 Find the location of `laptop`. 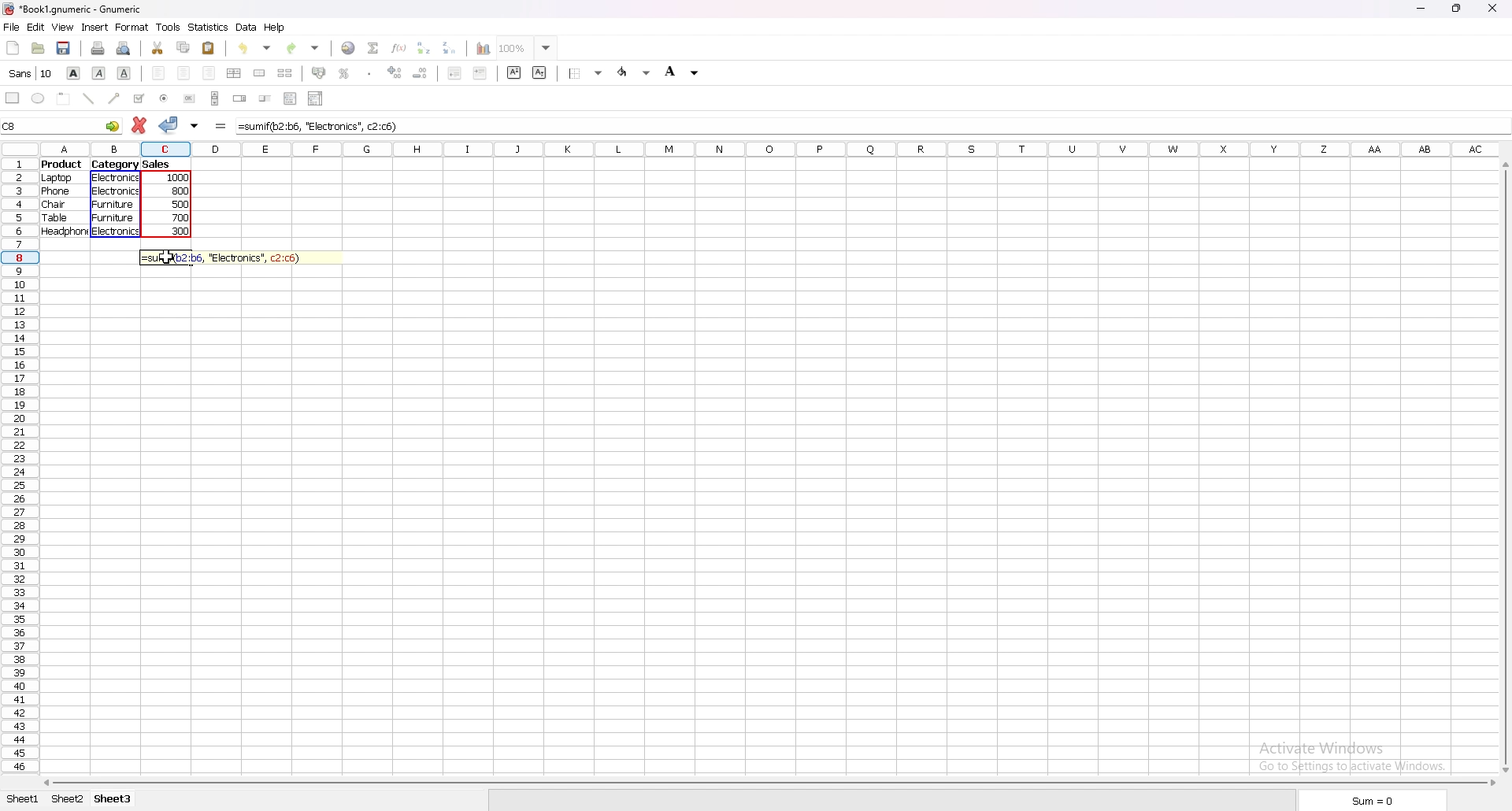

laptop is located at coordinates (60, 178).